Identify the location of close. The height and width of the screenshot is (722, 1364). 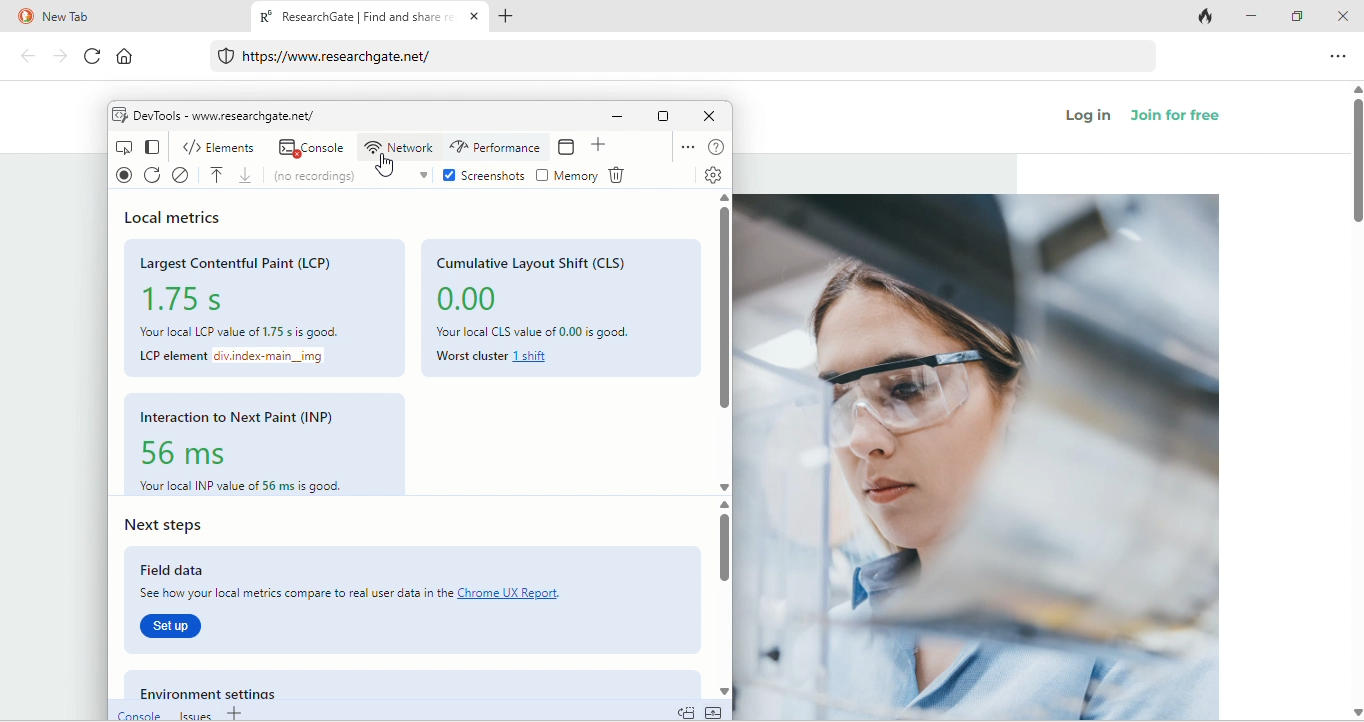
(1343, 15).